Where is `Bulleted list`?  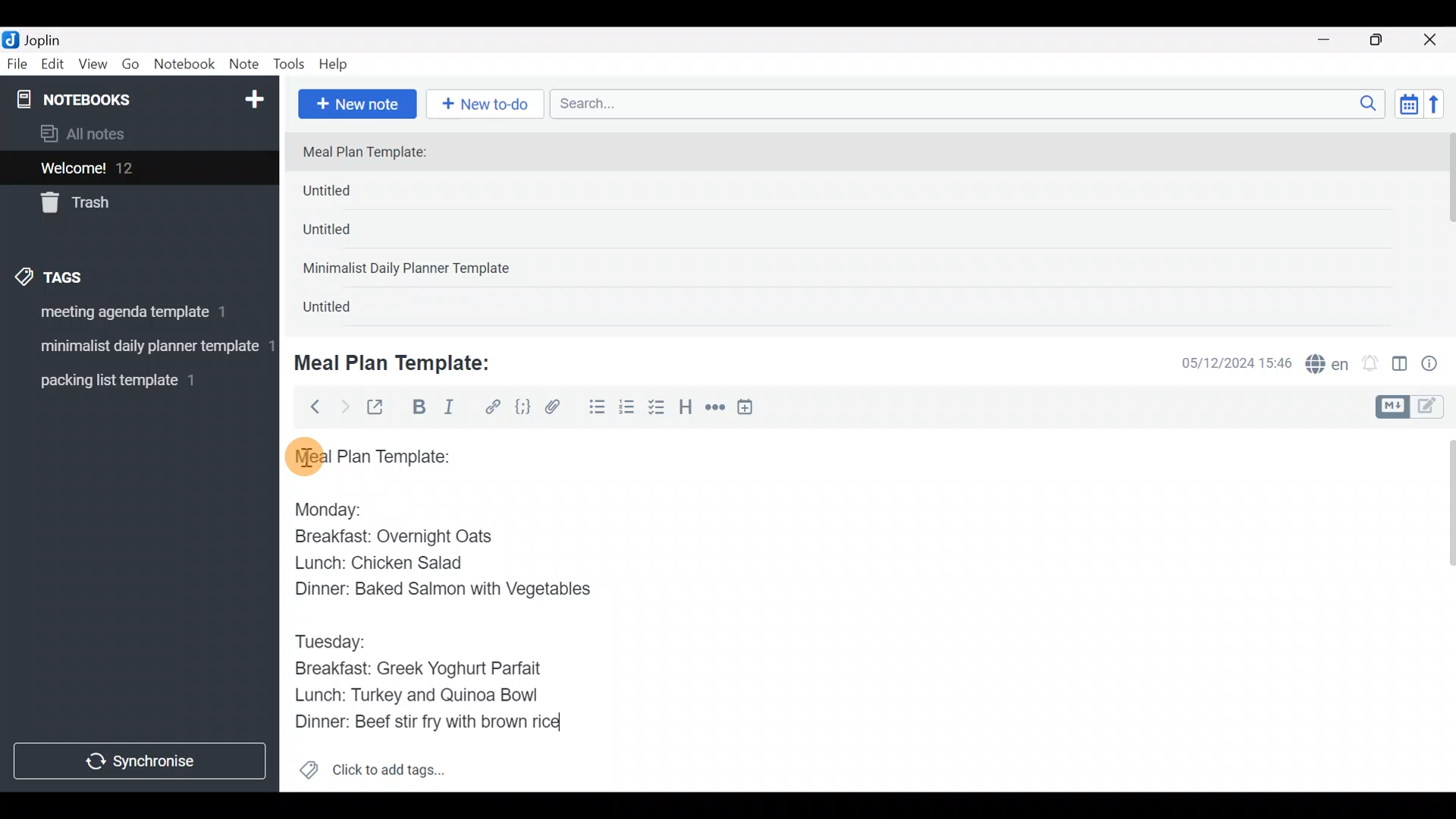
Bulleted list is located at coordinates (594, 408).